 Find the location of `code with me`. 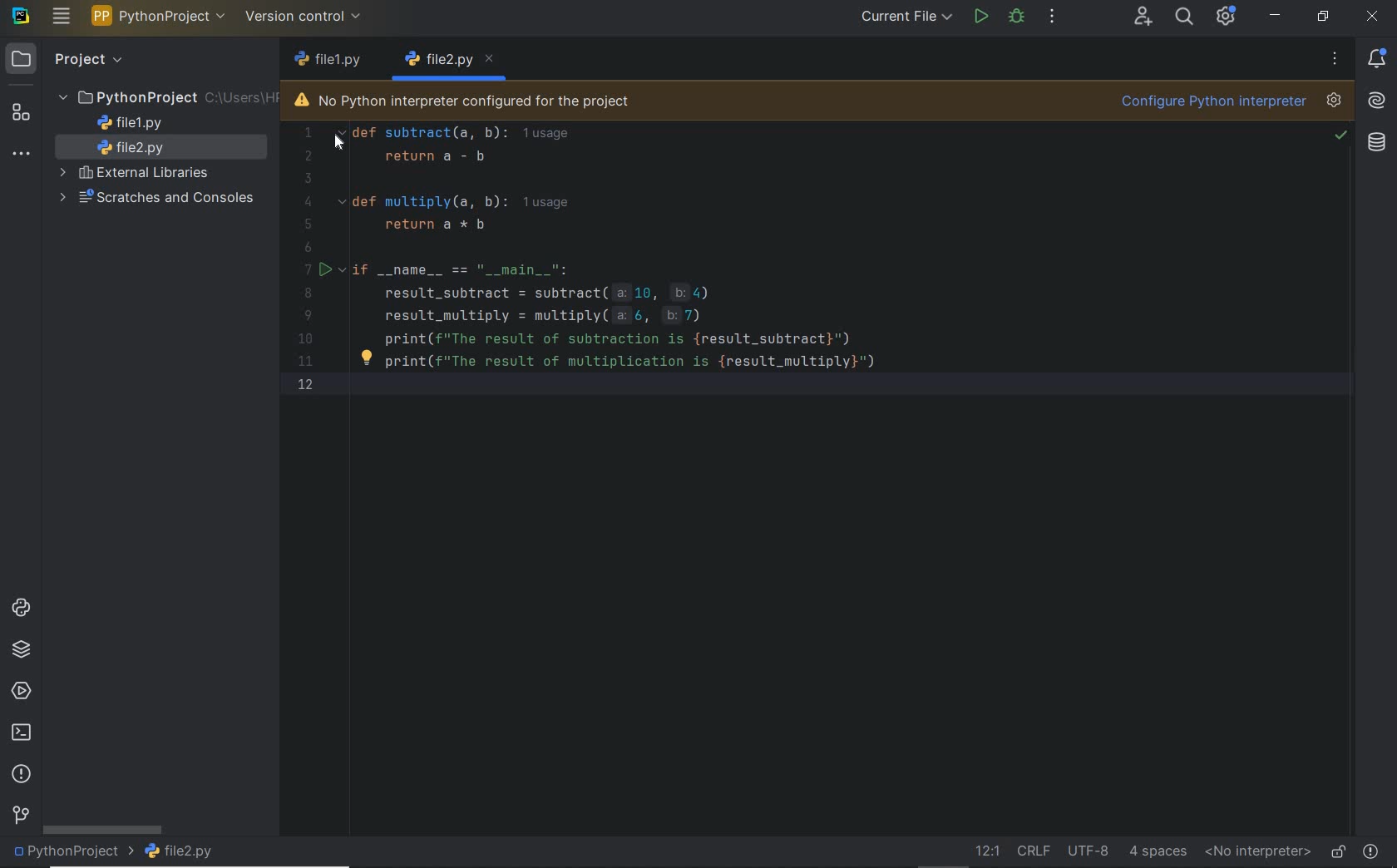

code with me is located at coordinates (1143, 18).